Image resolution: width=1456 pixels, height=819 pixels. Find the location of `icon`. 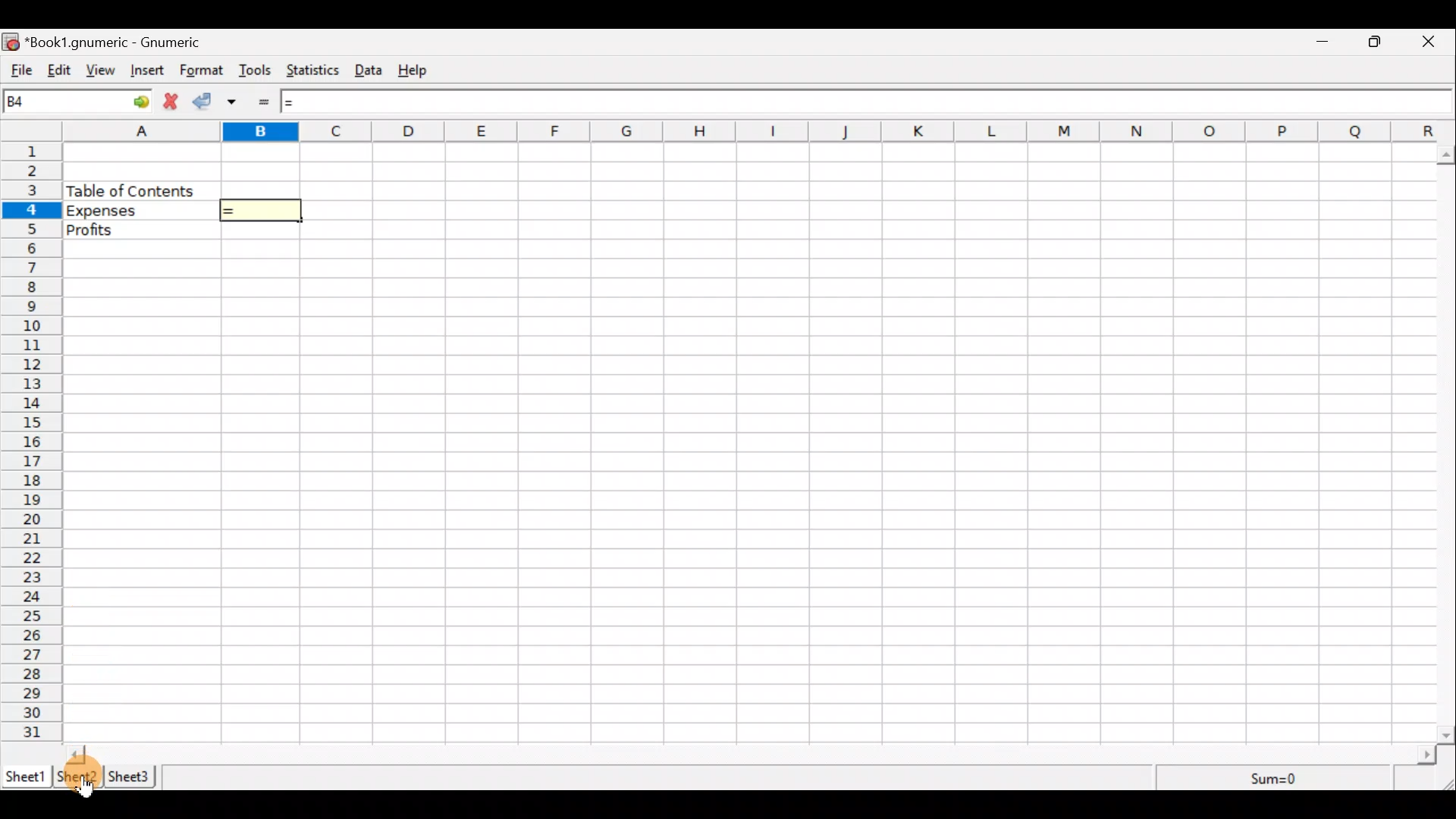

icon is located at coordinates (12, 42).